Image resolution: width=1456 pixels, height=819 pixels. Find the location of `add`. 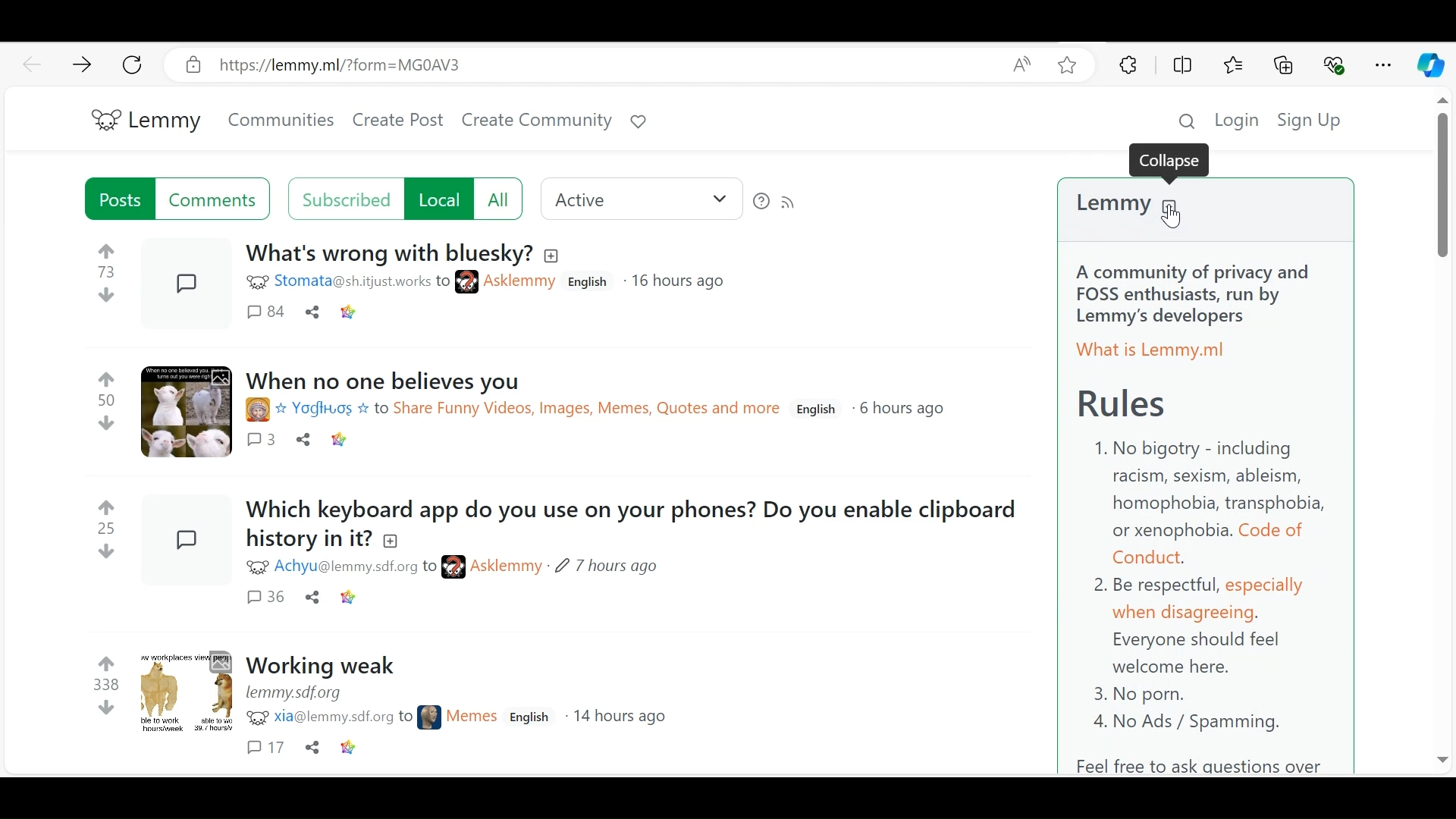

add is located at coordinates (556, 257).